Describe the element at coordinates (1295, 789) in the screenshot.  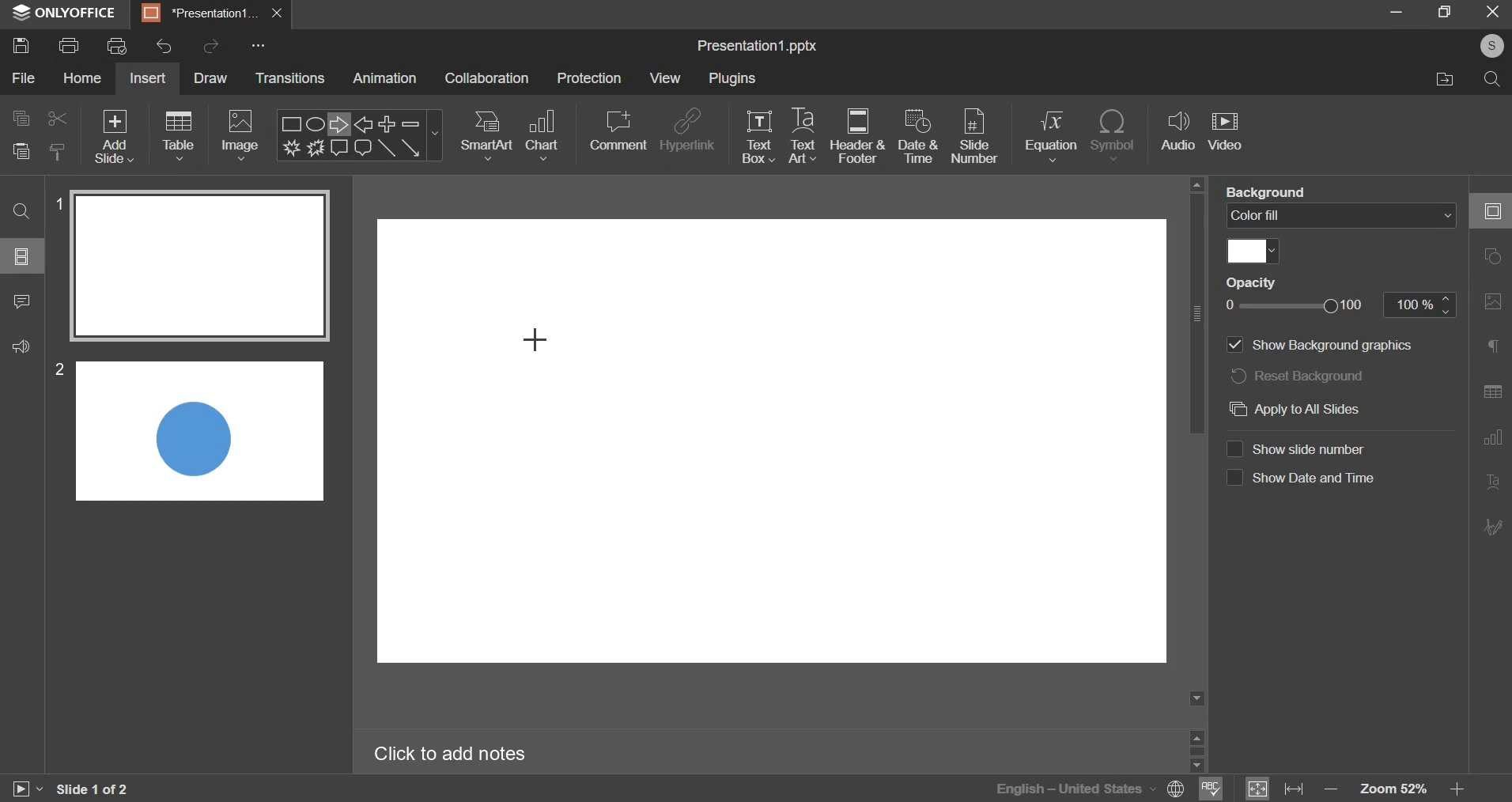
I see `fit to width` at that location.